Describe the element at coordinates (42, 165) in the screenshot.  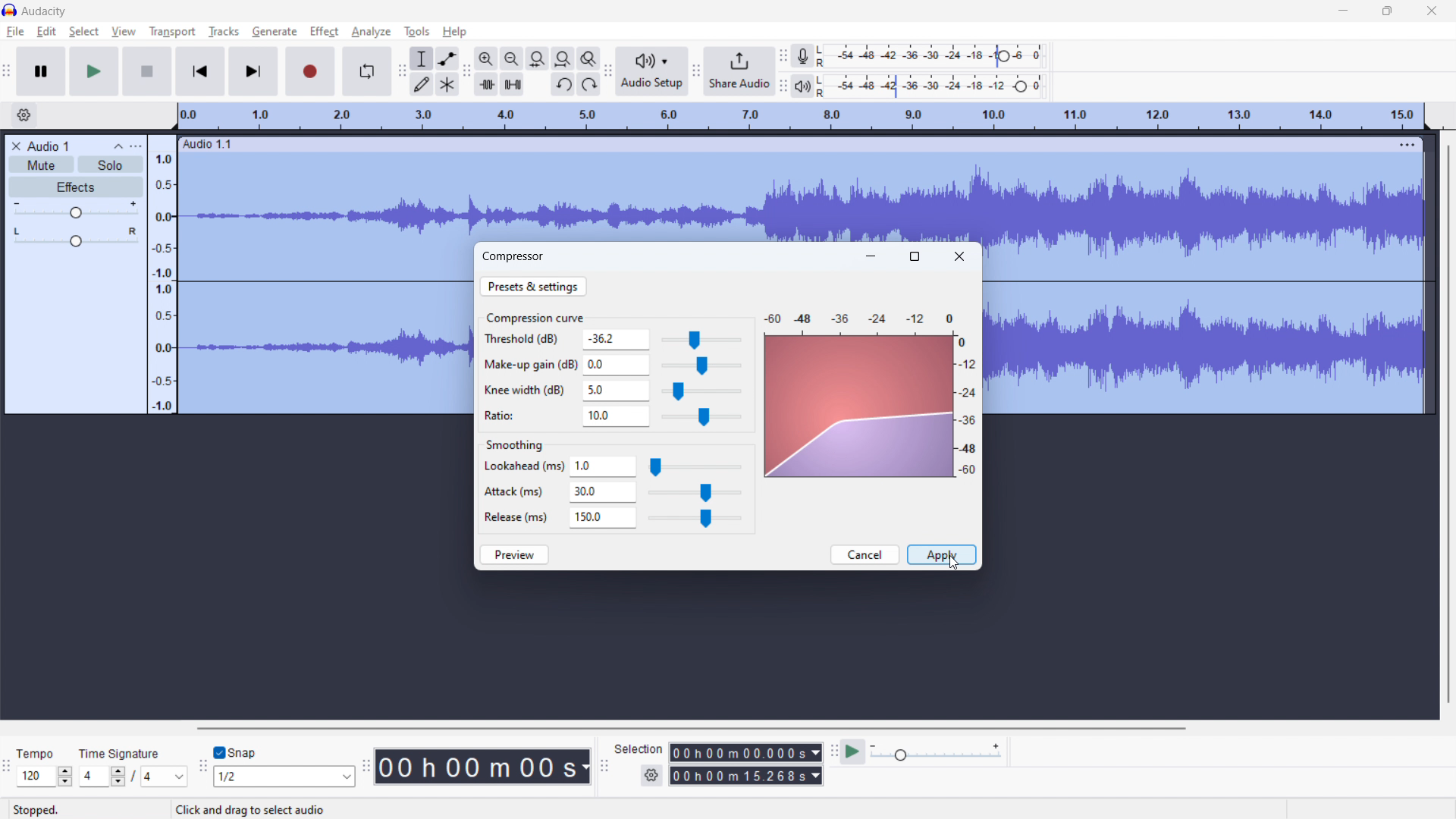
I see `mute` at that location.